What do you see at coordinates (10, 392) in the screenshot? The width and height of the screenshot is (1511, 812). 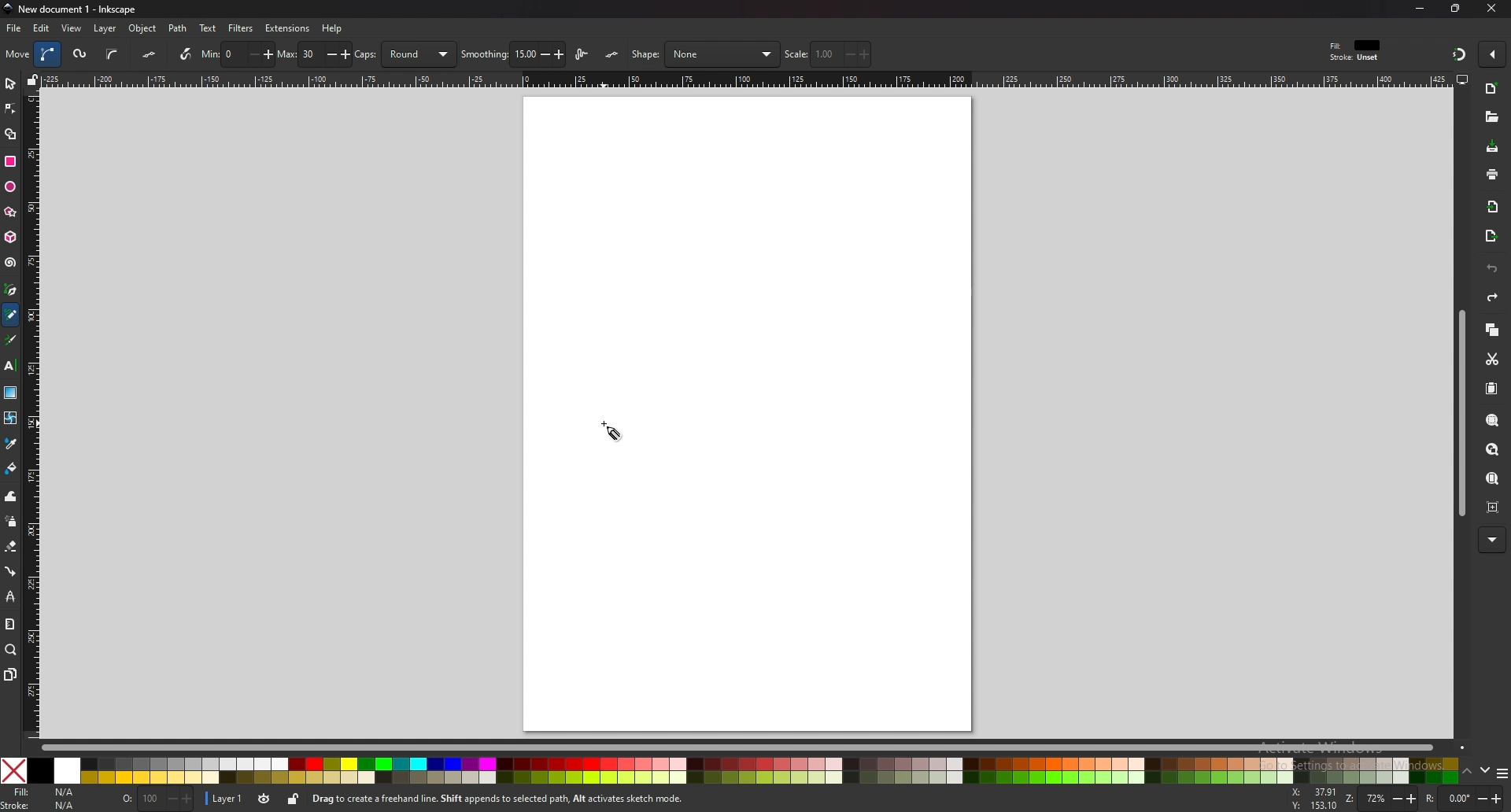 I see `gradient` at bounding box center [10, 392].